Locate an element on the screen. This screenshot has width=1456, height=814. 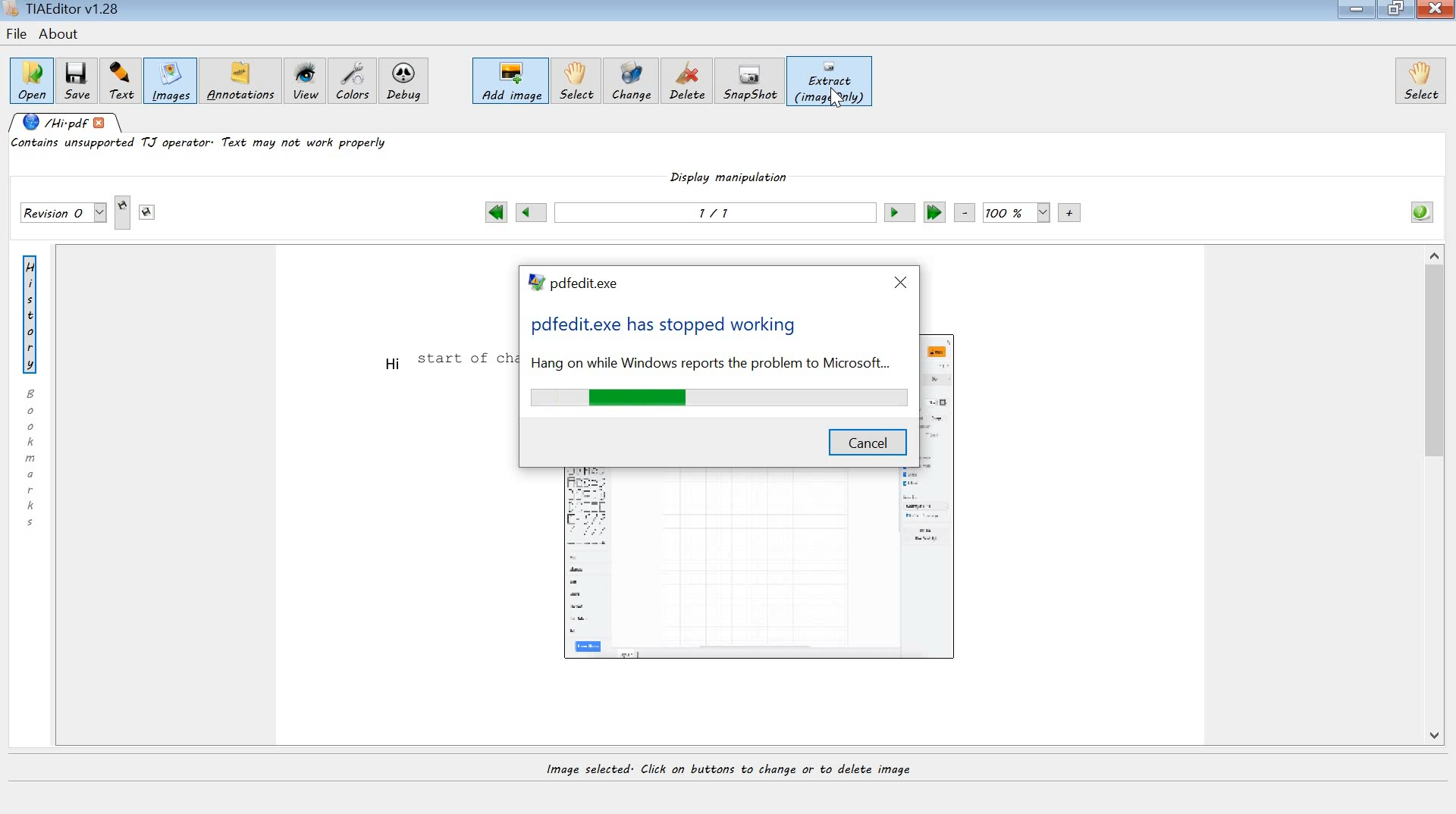
save revisions is located at coordinates (63, 214).